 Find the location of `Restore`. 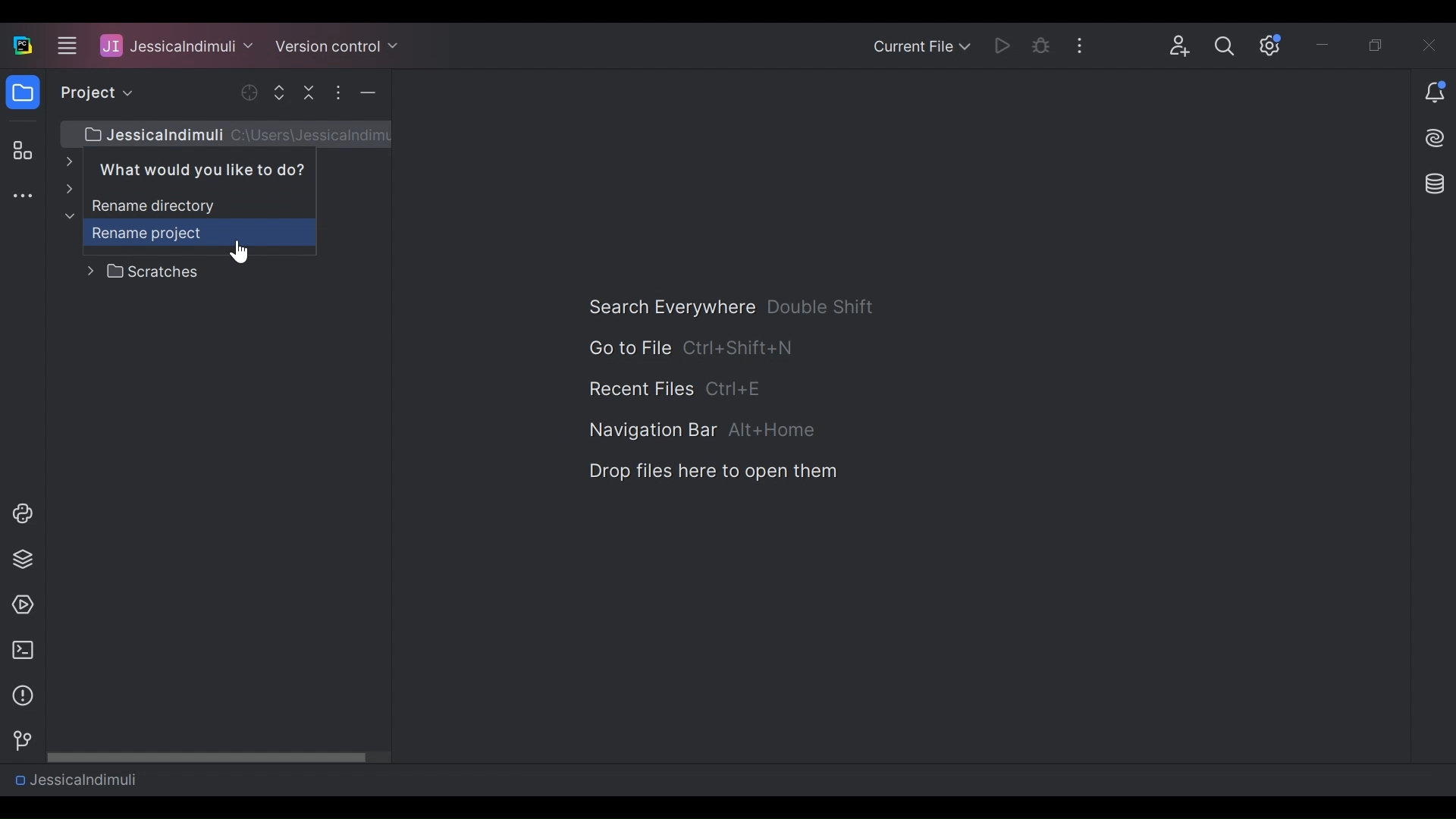

Restore is located at coordinates (1379, 46).